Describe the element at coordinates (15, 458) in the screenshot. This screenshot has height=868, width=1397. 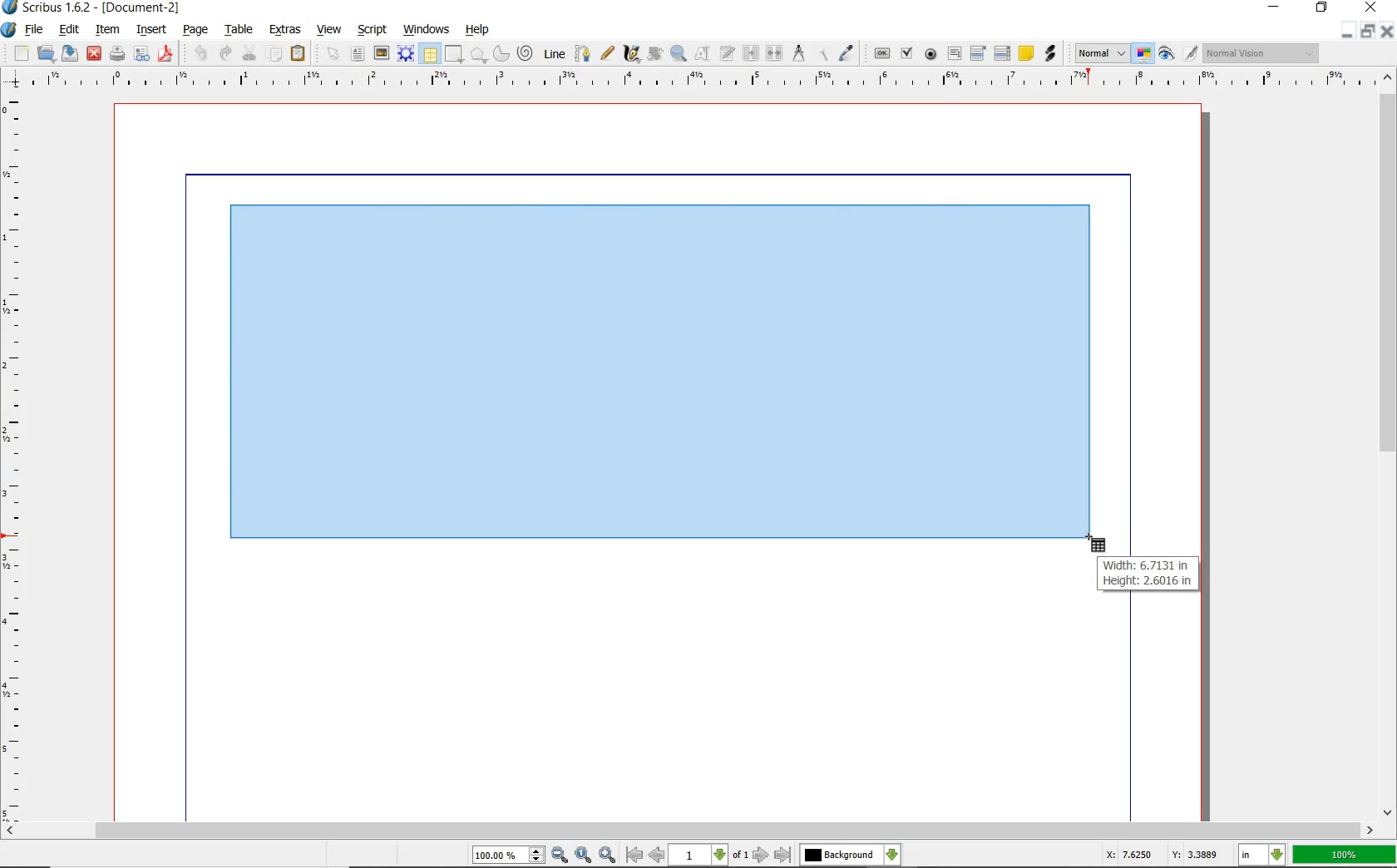
I see `ruler` at that location.